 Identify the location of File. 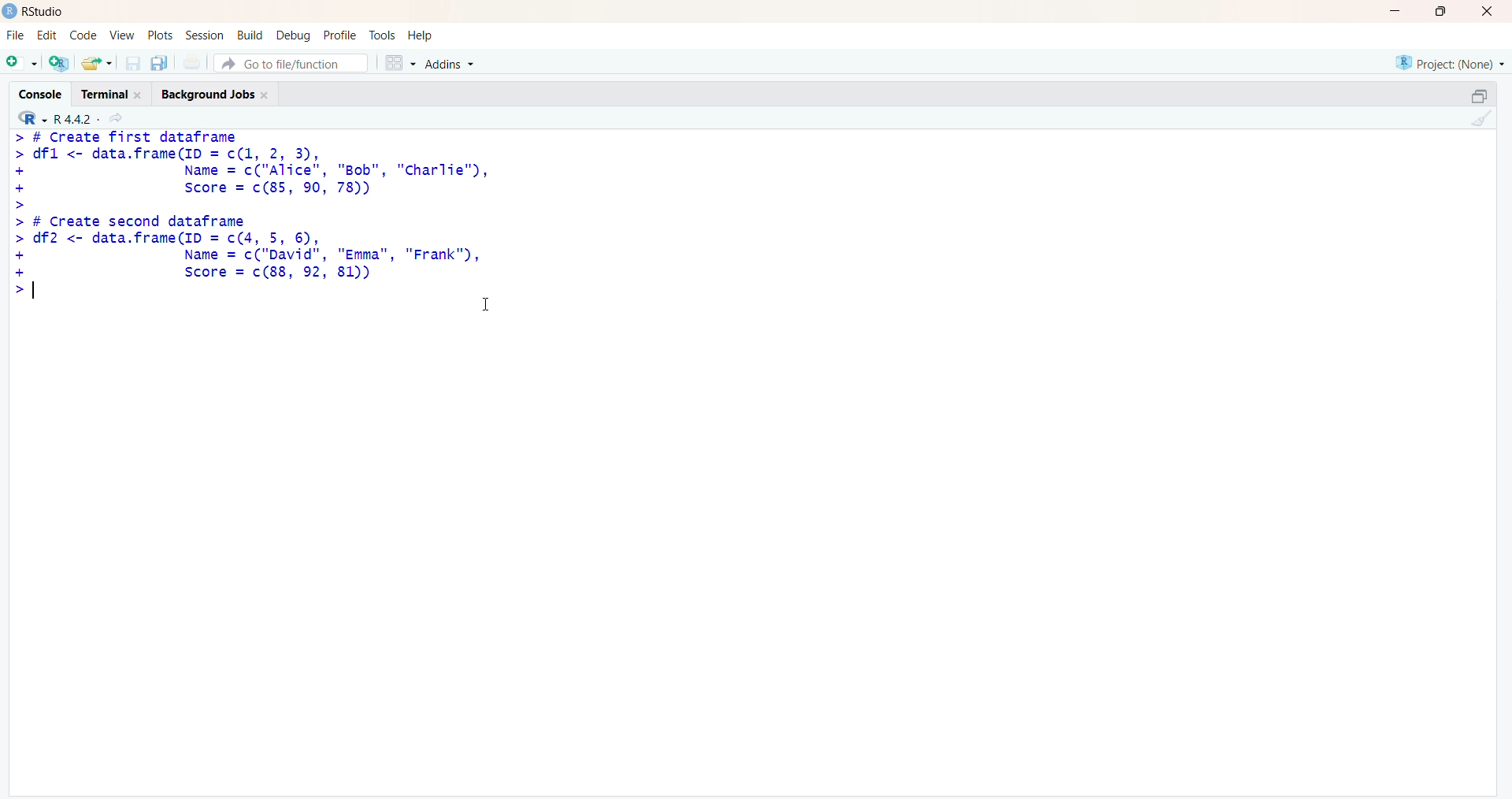
(17, 35).